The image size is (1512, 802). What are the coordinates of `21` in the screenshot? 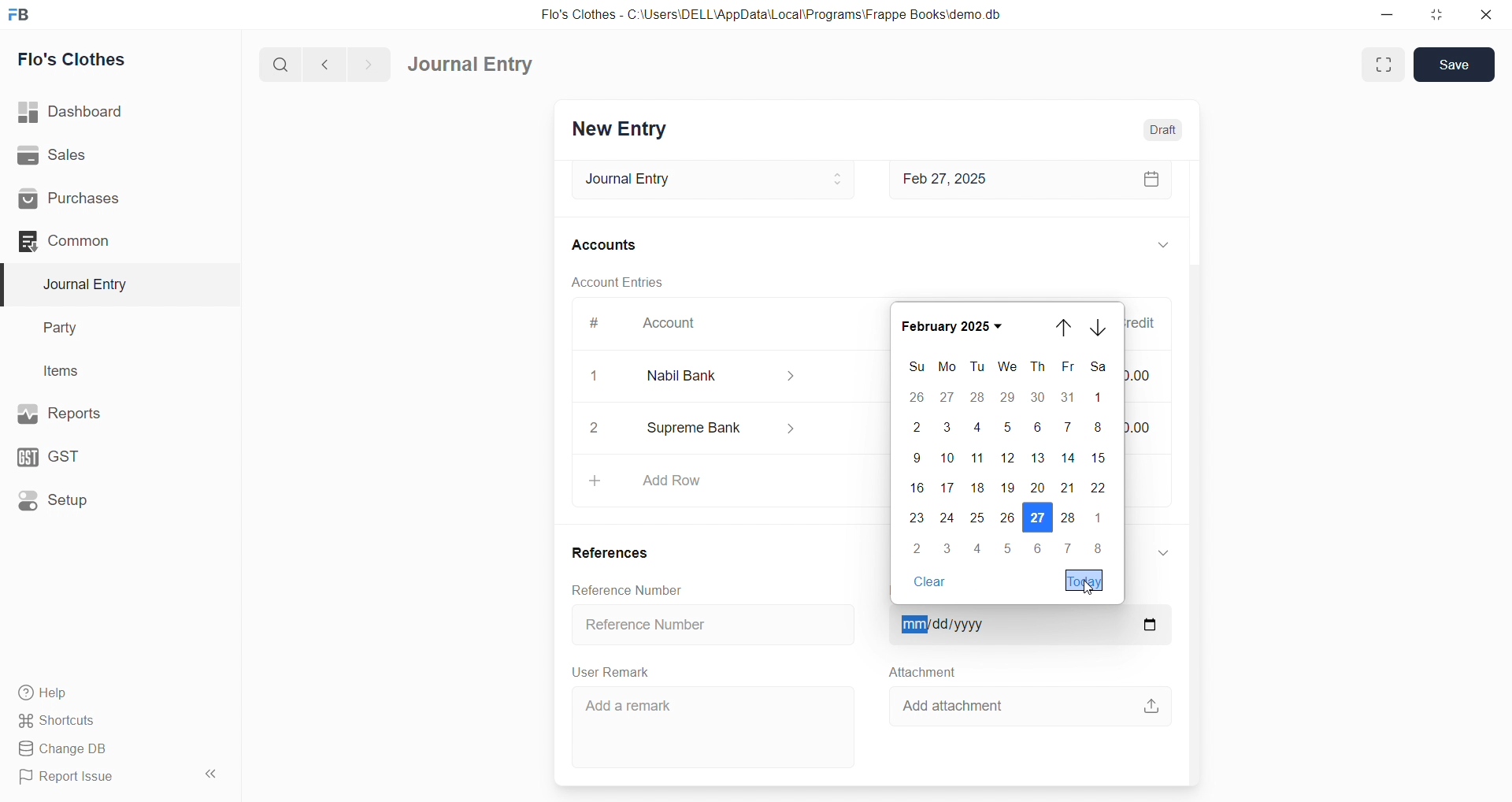 It's located at (1068, 488).